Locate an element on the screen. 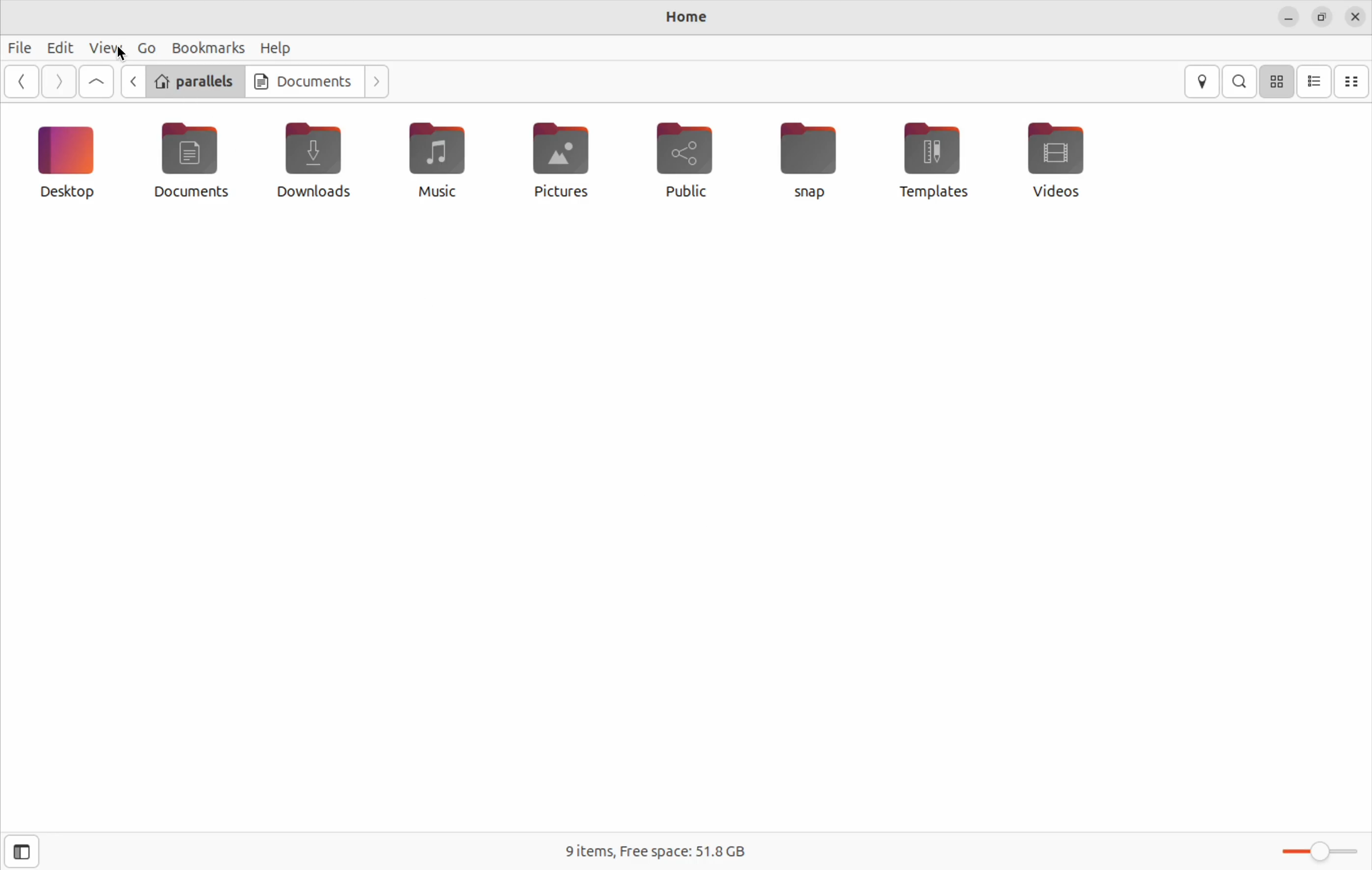  templates is located at coordinates (928, 161).